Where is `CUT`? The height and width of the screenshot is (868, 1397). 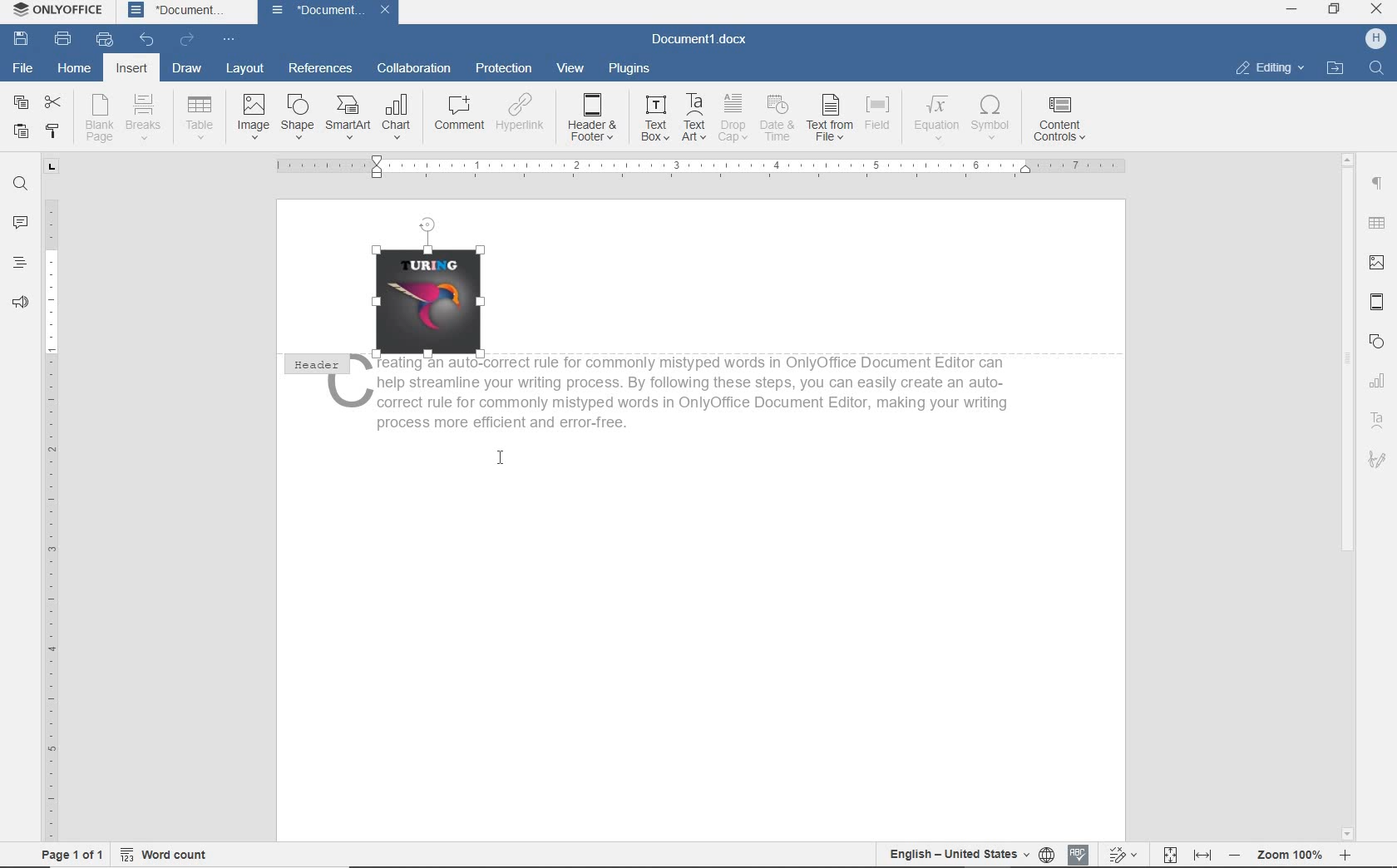 CUT is located at coordinates (53, 101).